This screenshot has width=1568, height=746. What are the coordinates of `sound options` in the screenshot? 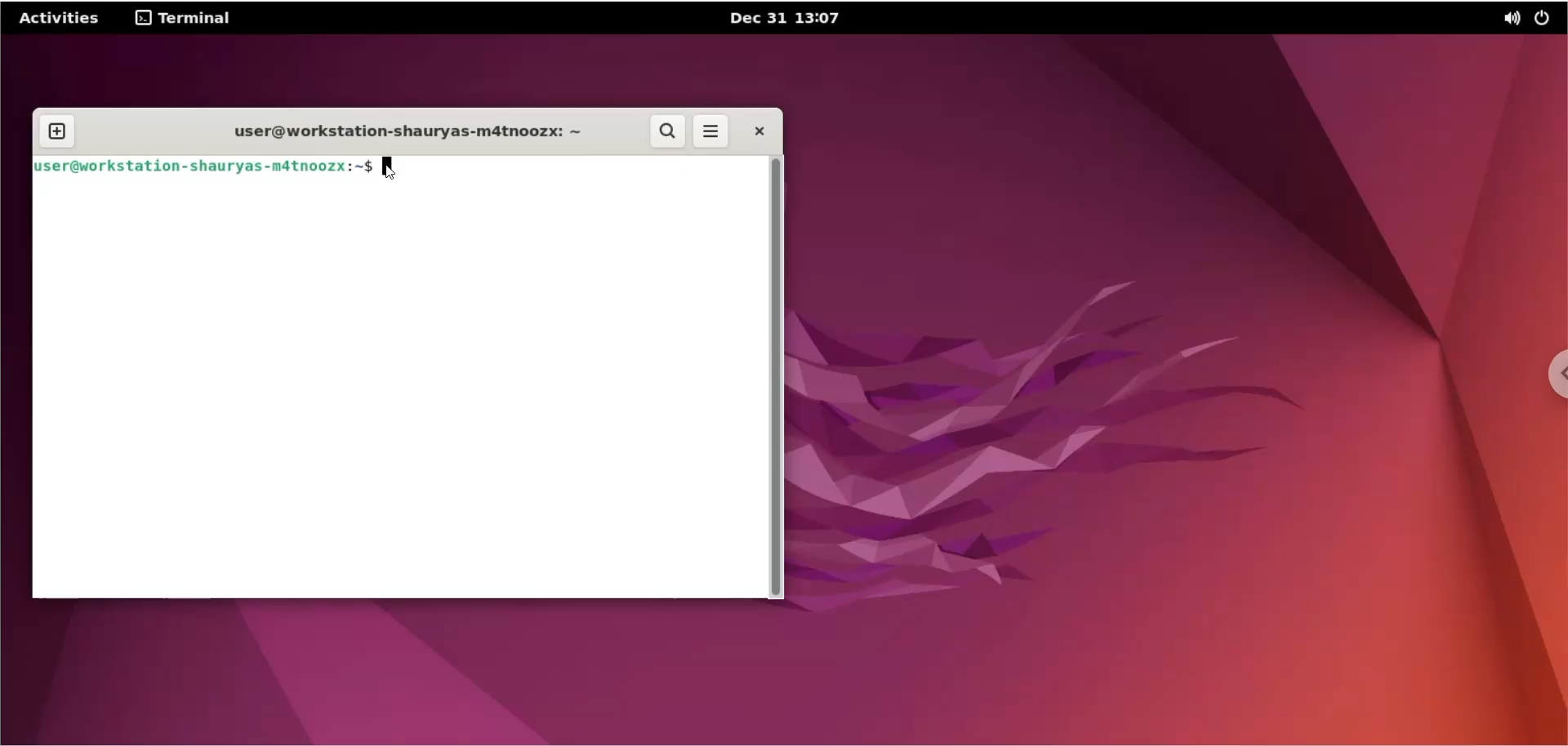 It's located at (1511, 18).